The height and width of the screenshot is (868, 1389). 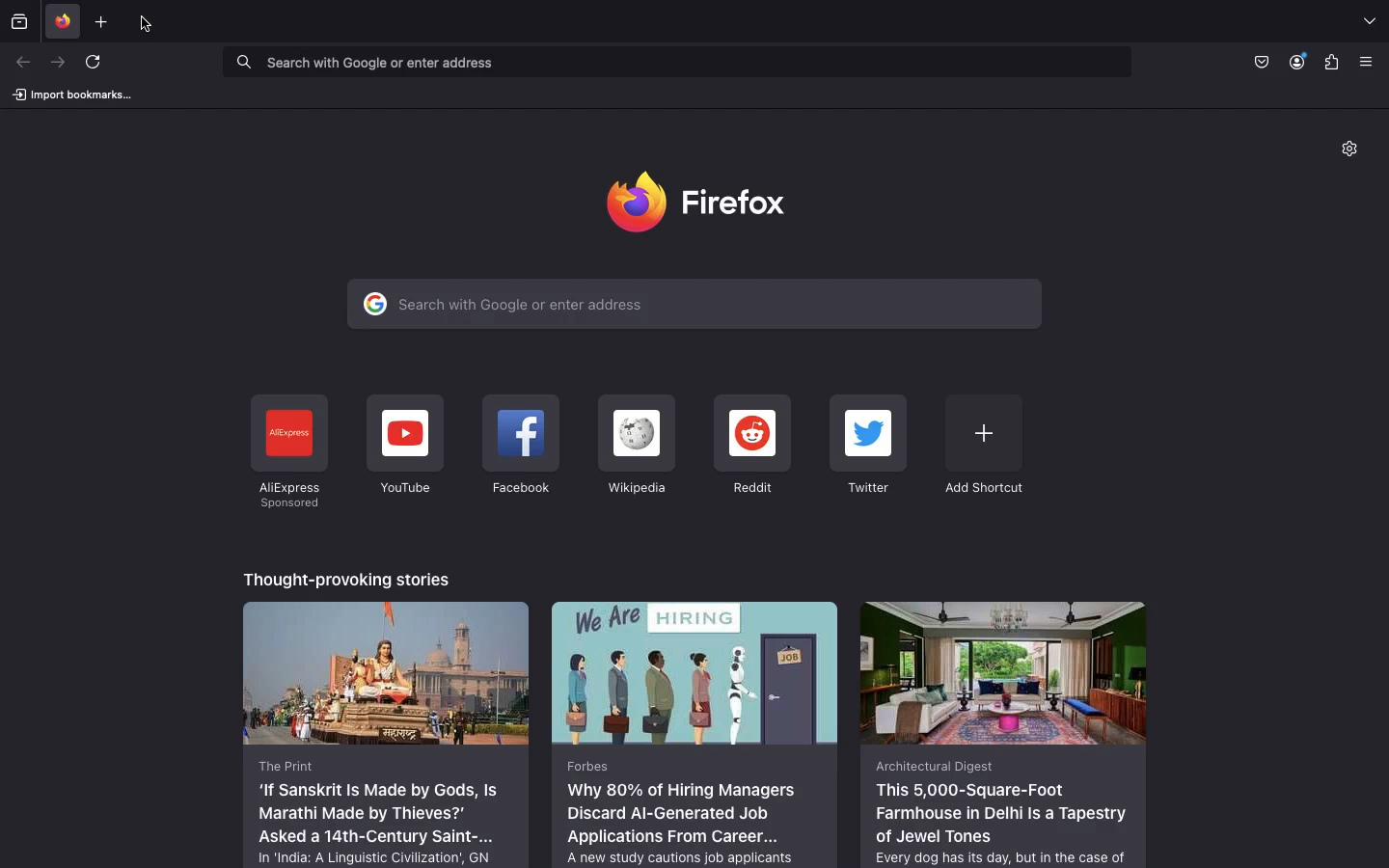 I want to click on Import bookmarks, so click(x=71, y=94).